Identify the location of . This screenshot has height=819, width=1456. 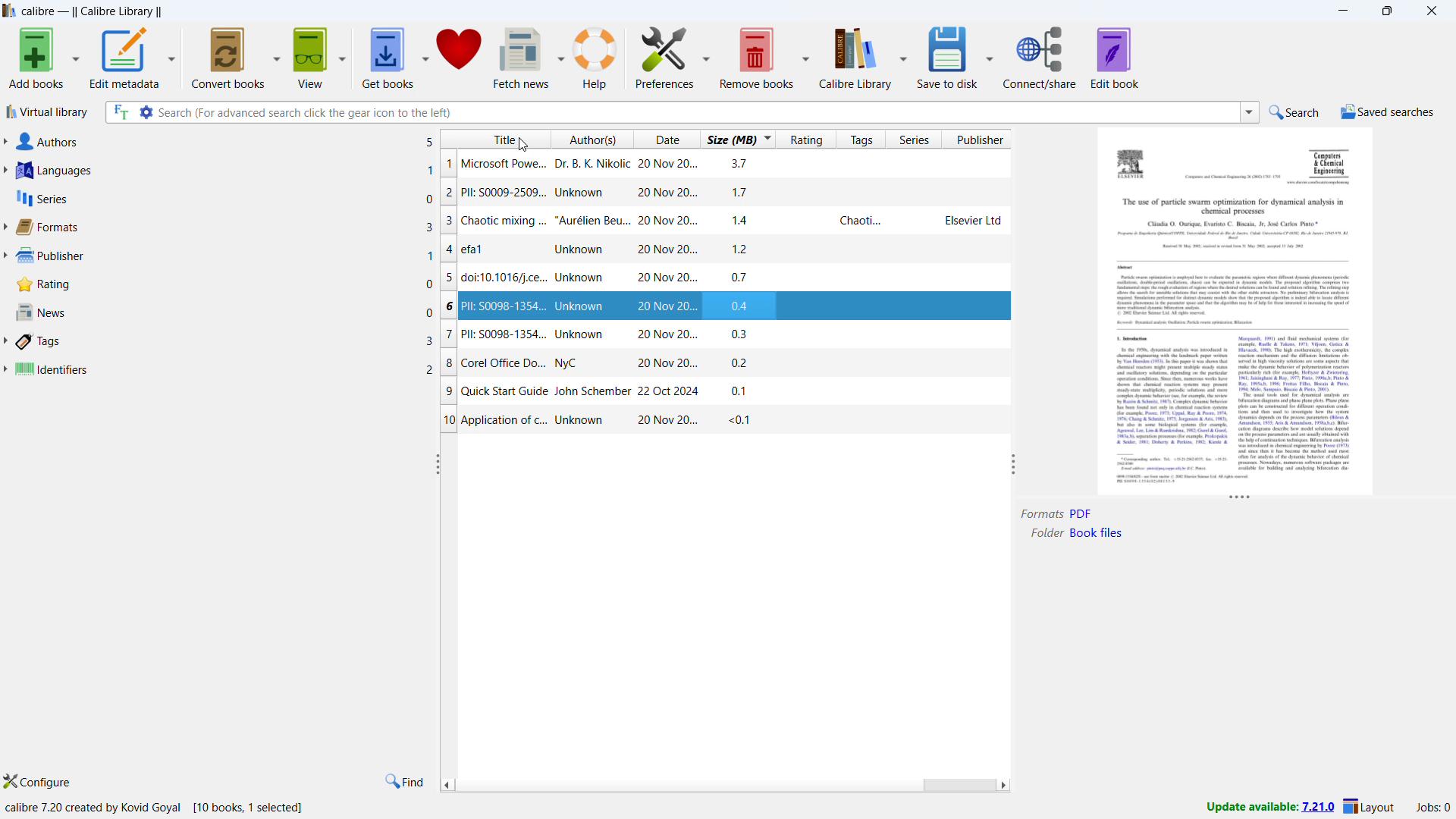
(1322, 184).